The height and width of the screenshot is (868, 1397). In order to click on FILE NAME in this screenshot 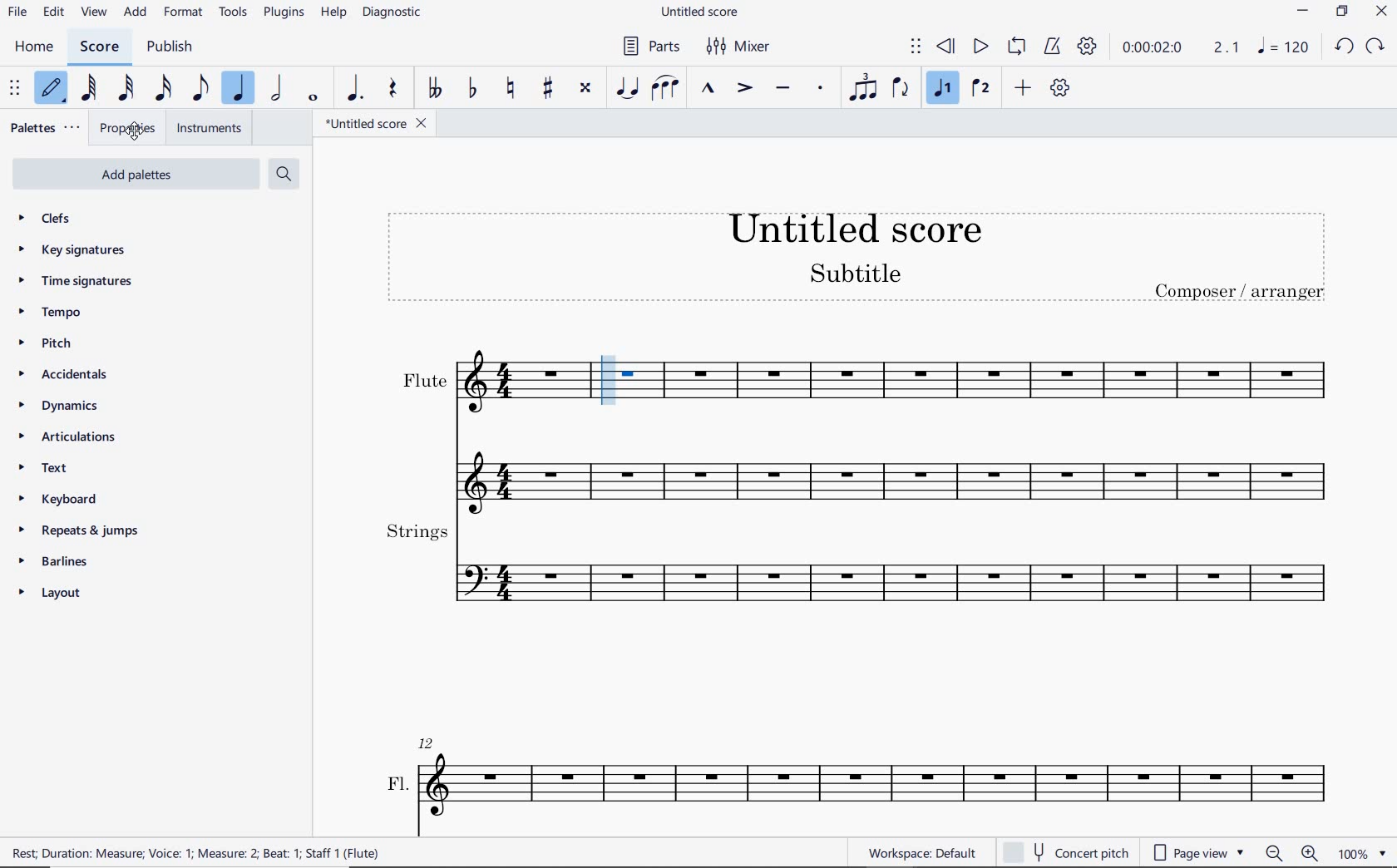, I will do `click(375, 123)`.